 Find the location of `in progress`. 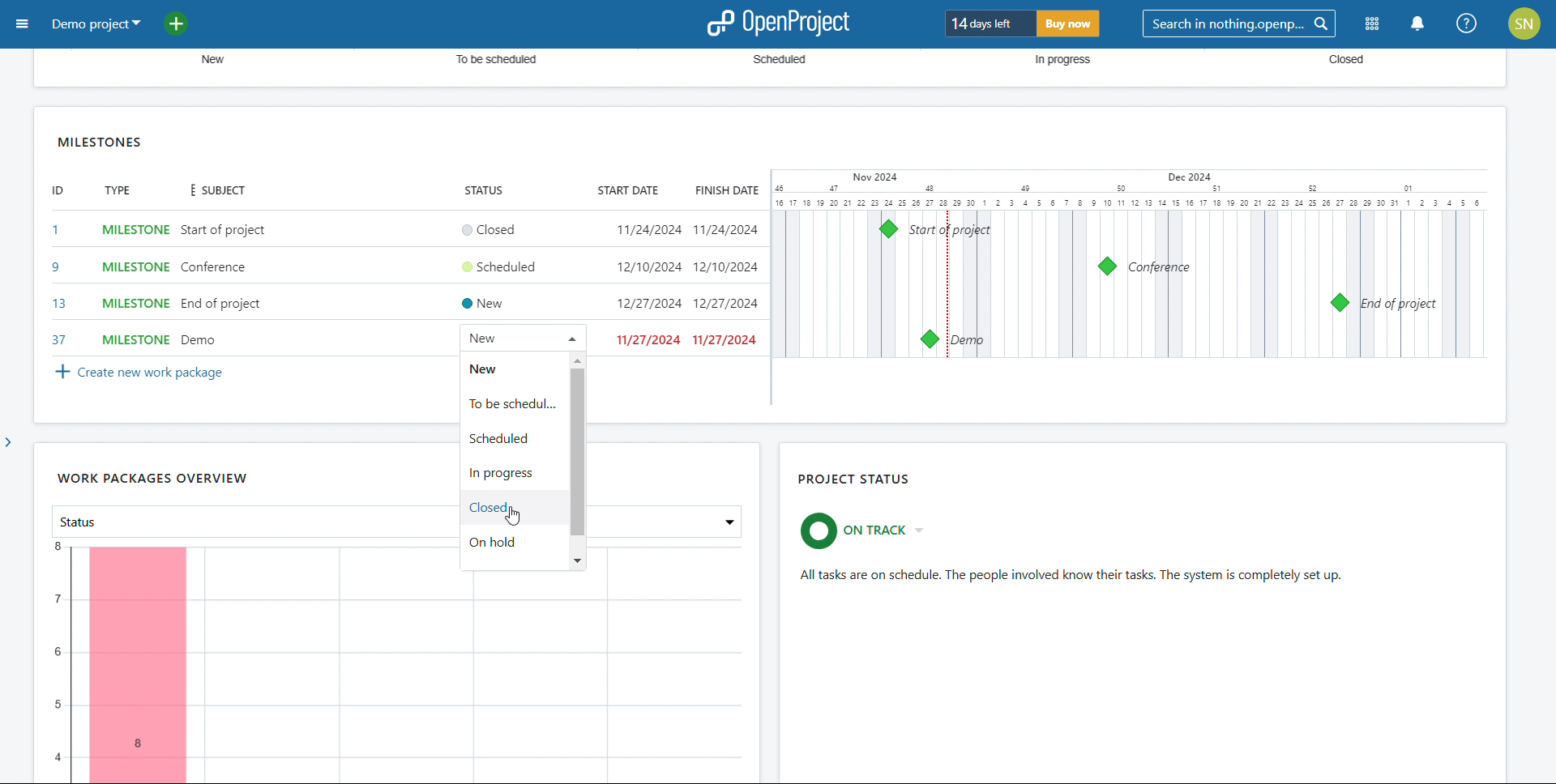

in progress is located at coordinates (511, 473).